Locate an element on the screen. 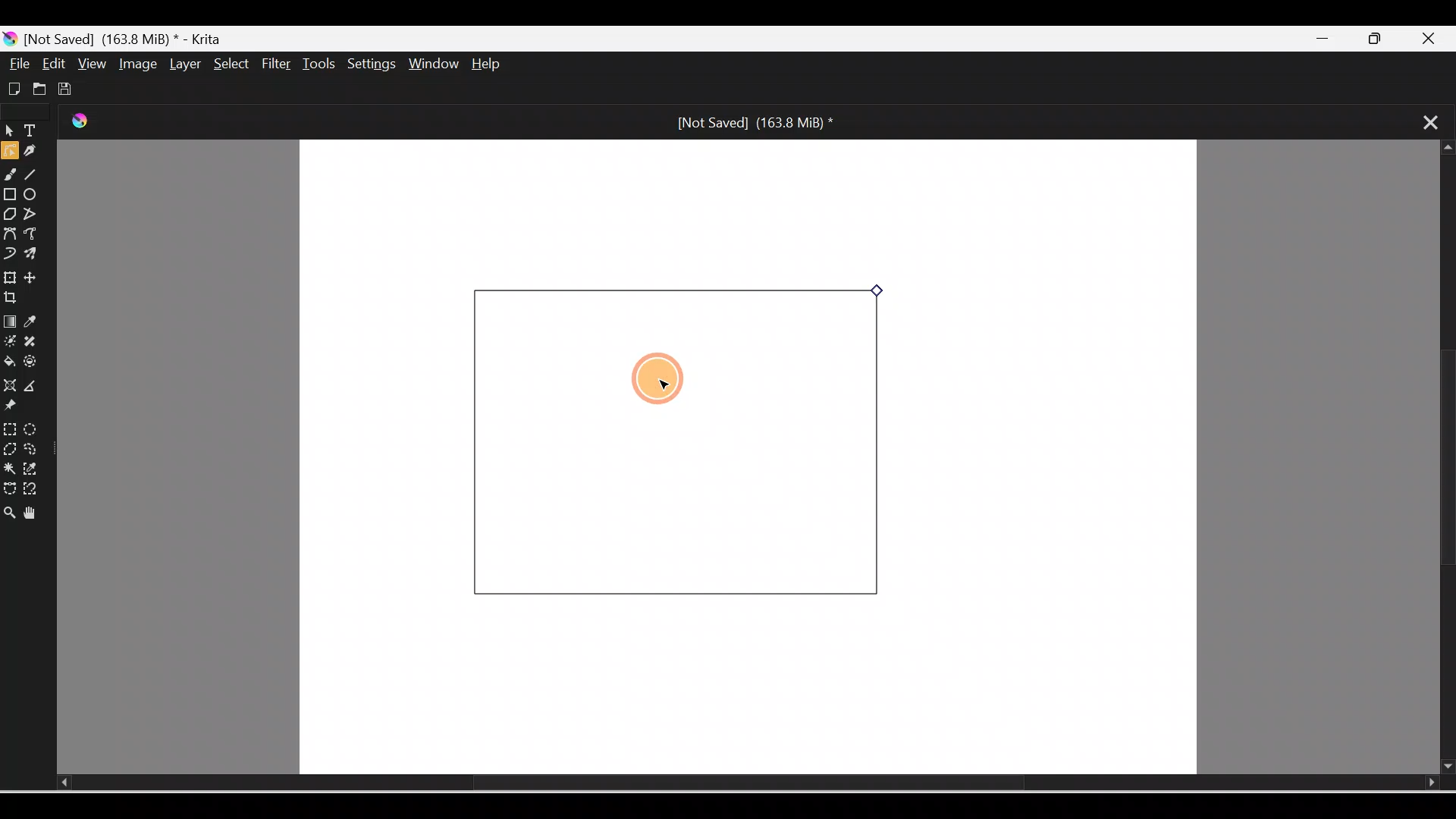 Image resolution: width=1456 pixels, height=819 pixels. Elliptical selection tool is located at coordinates (31, 427).